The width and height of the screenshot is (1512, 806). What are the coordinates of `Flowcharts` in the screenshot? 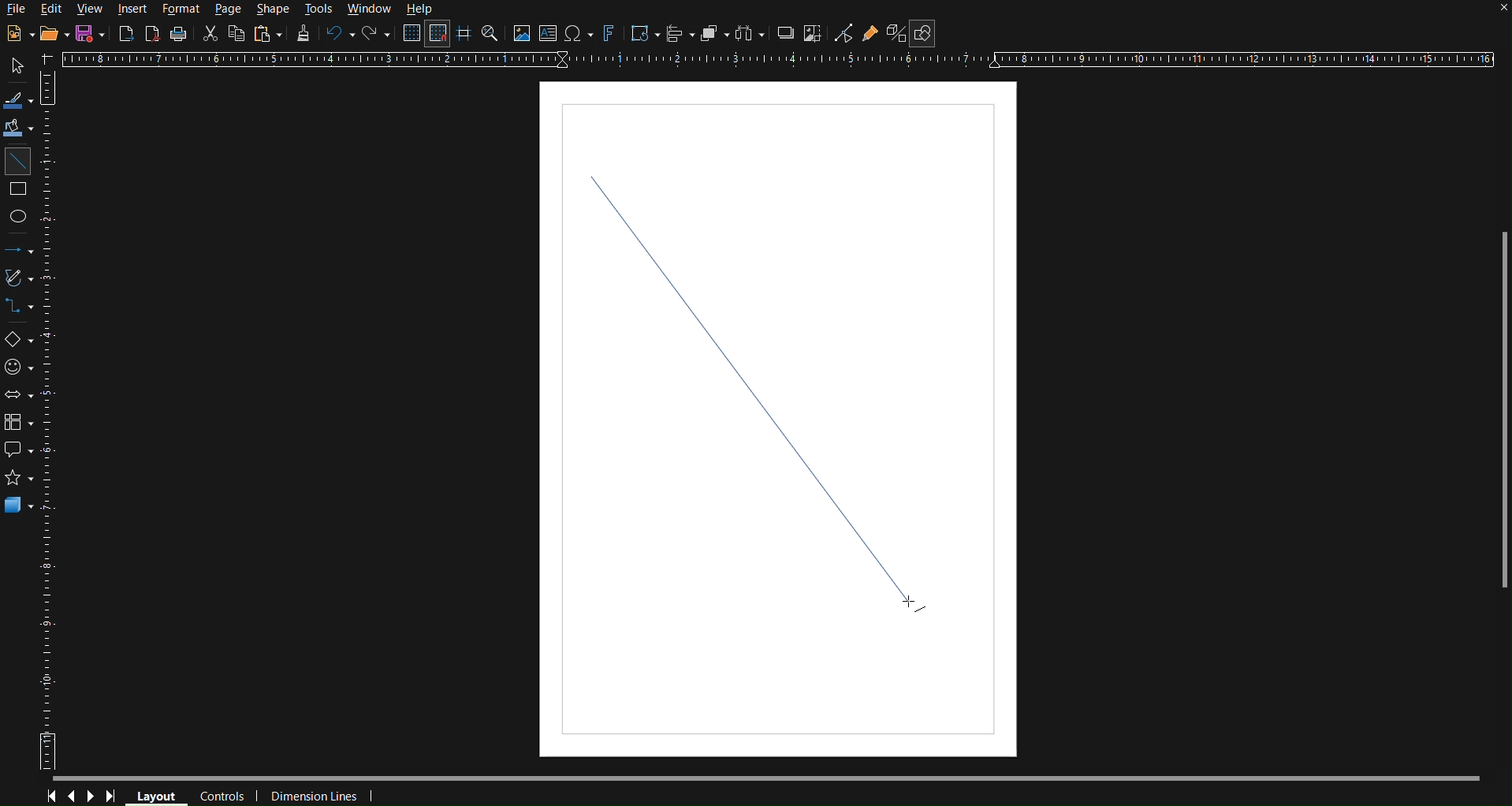 It's located at (19, 423).